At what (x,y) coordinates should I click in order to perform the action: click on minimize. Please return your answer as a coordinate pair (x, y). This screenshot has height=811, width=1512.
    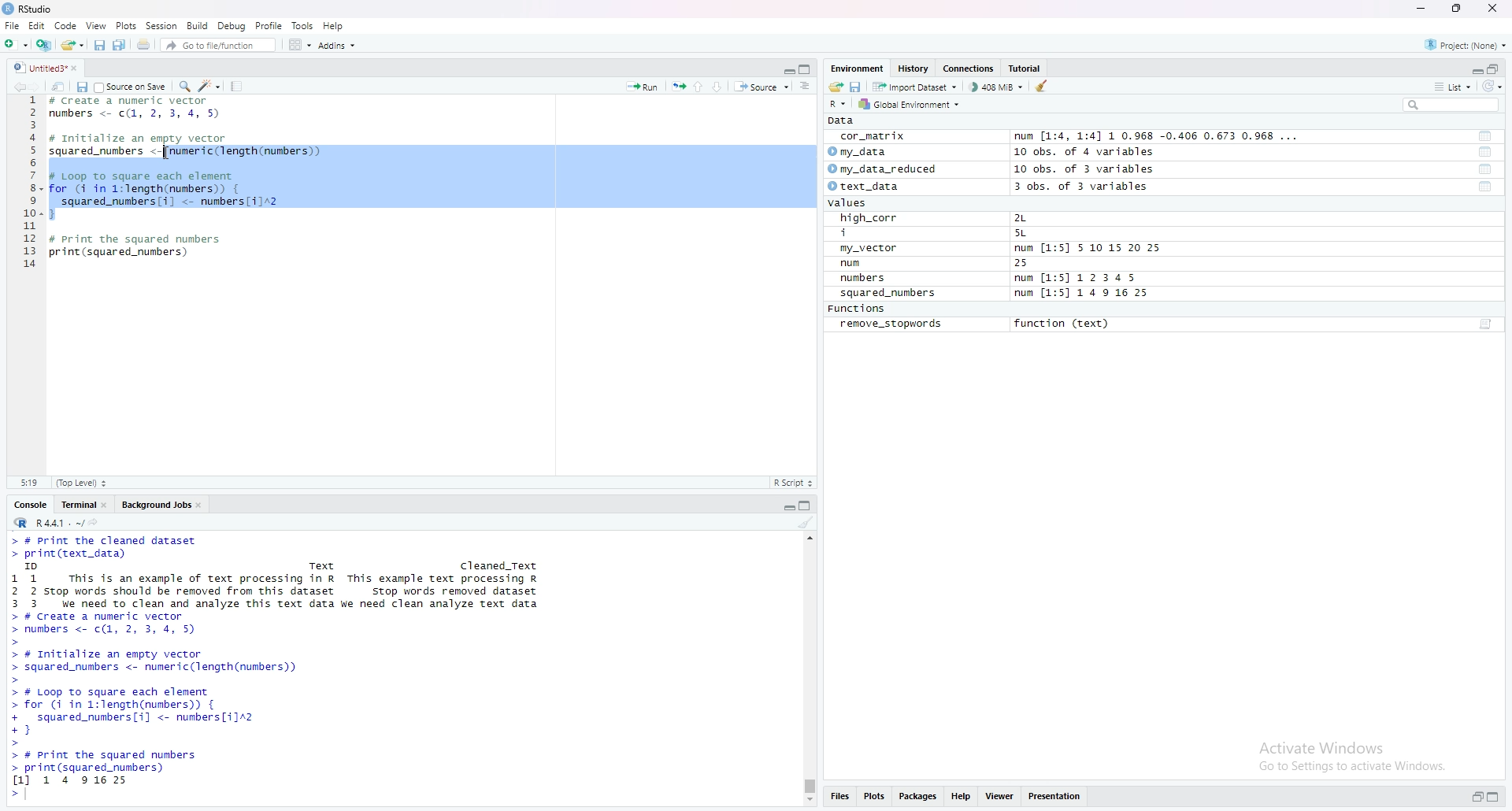
    Looking at the image, I should click on (787, 504).